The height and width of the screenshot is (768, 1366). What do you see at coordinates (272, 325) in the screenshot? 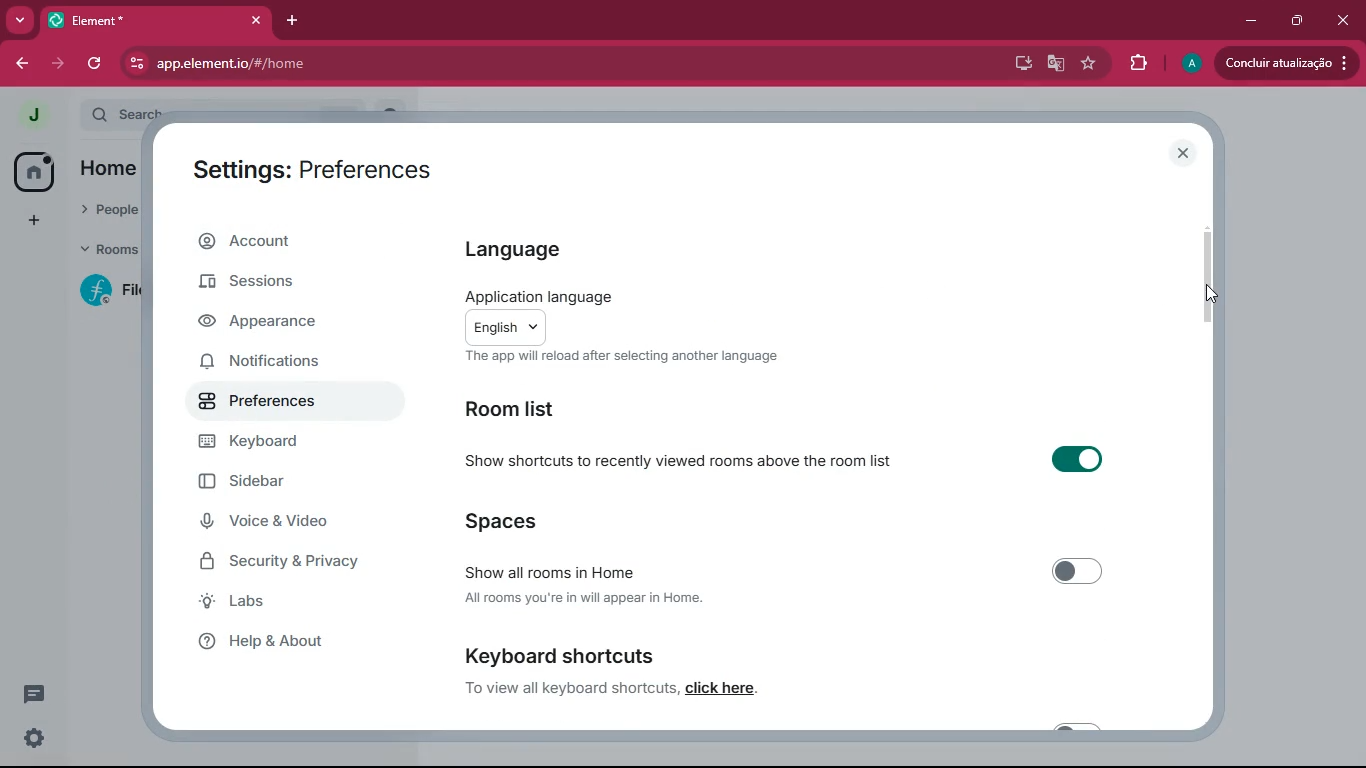
I see `appearance` at bounding box center [272, 325].